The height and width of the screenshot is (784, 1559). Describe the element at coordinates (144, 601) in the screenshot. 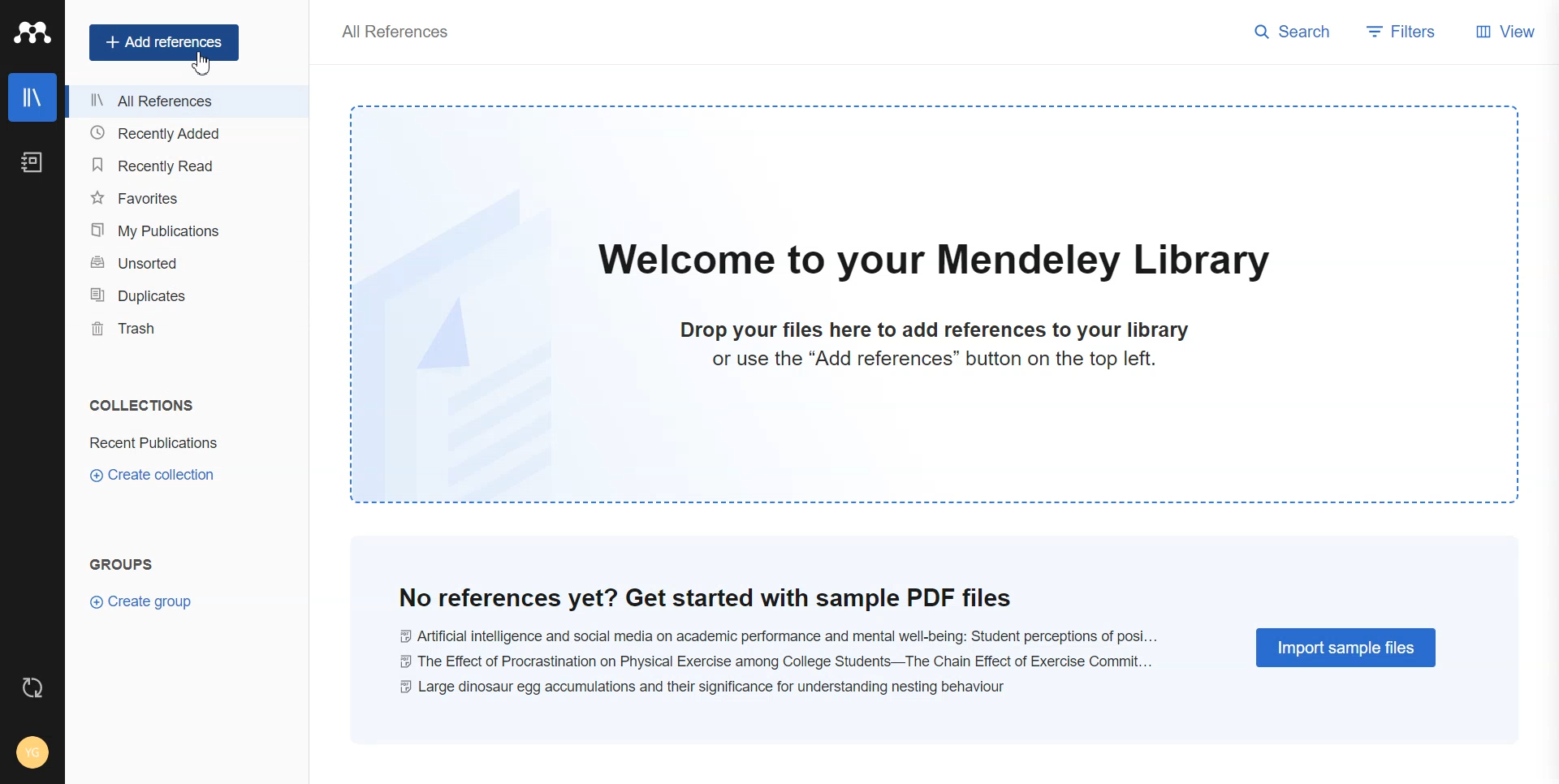

I see `Create Group` at that location.